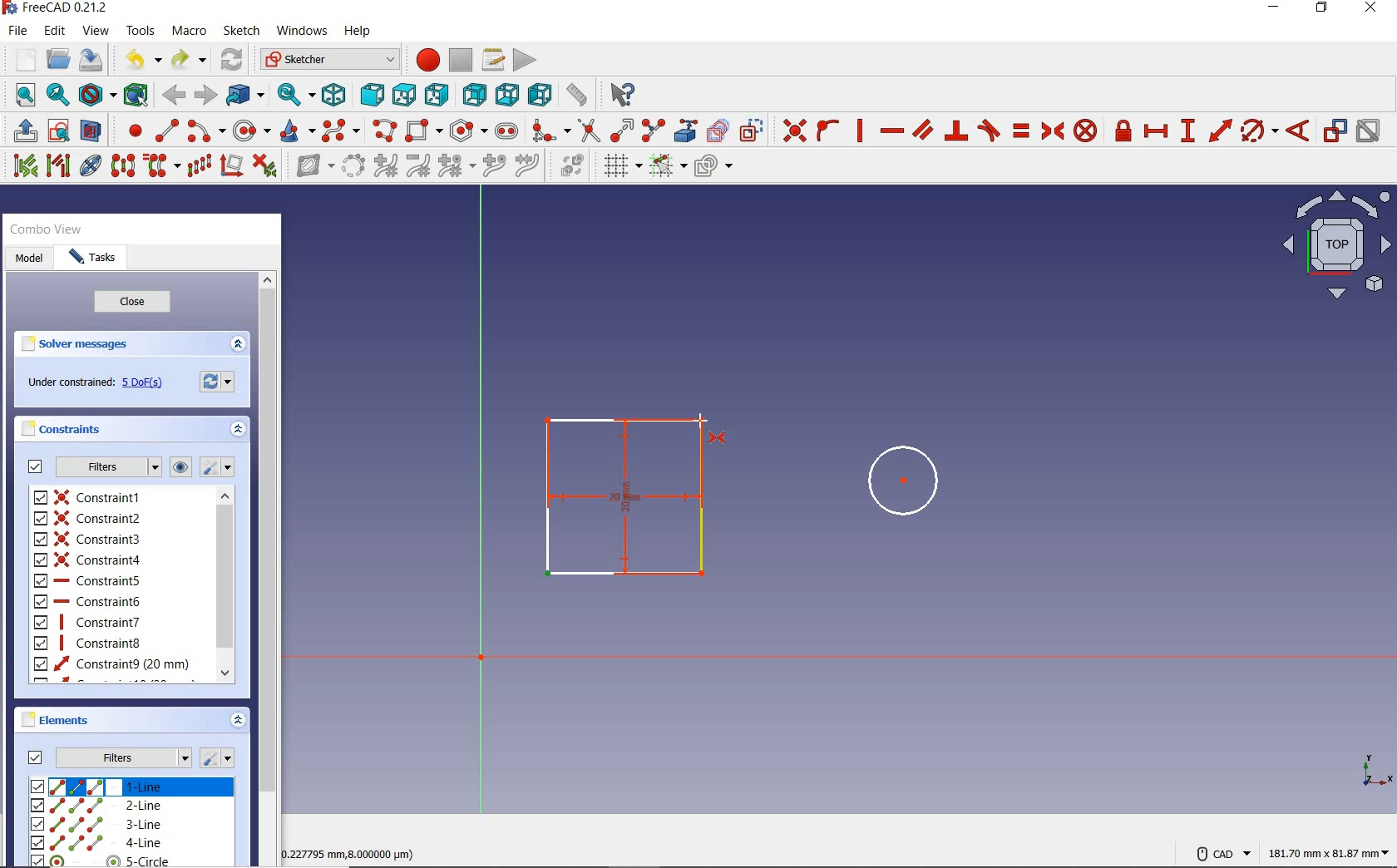  What do you see at coordinates (31, 262) in the screenshot?
I see `model` at bounding box center [31, 262].